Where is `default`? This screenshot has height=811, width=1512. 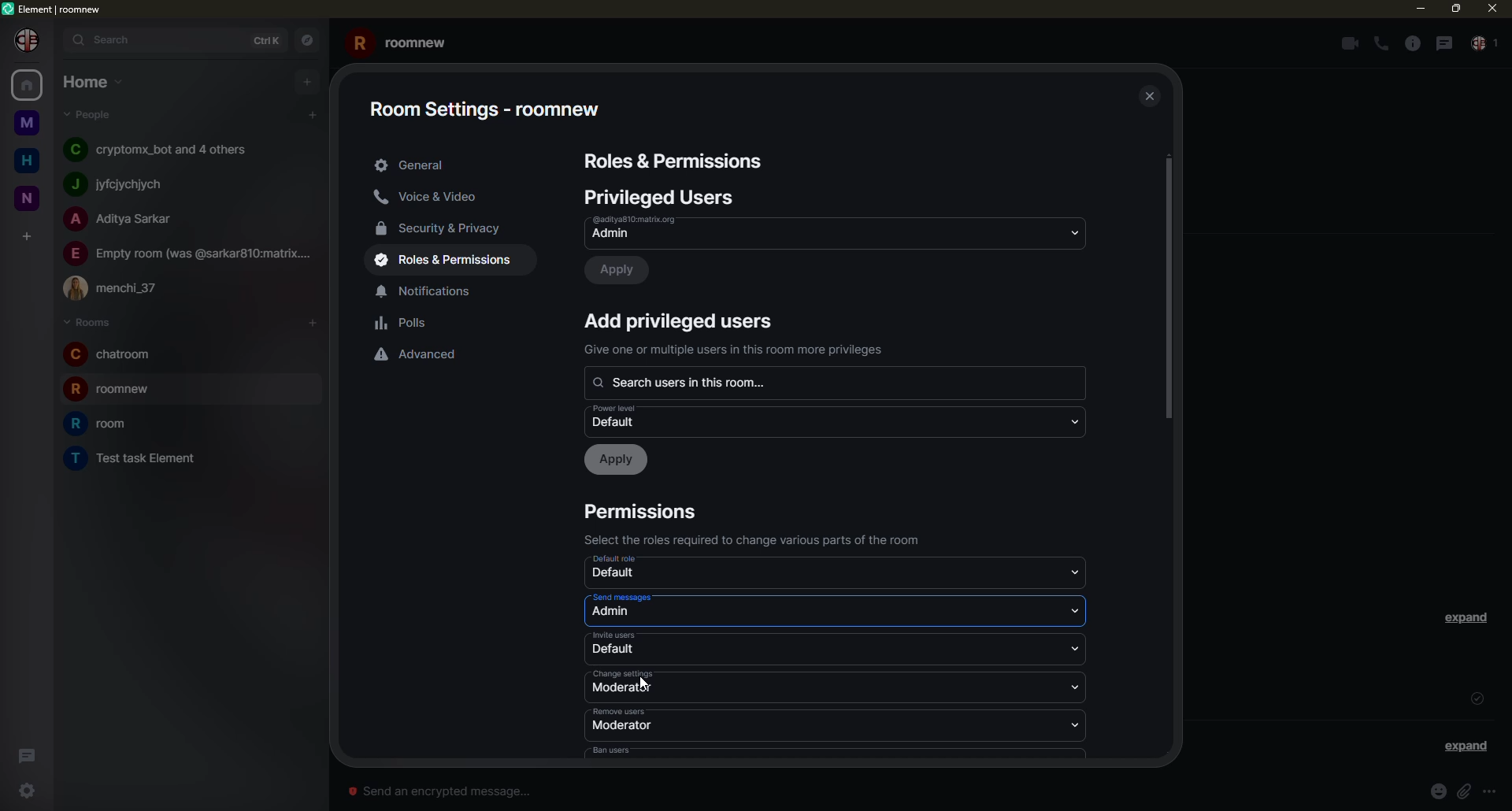
default is located at coordinates (616, 650).